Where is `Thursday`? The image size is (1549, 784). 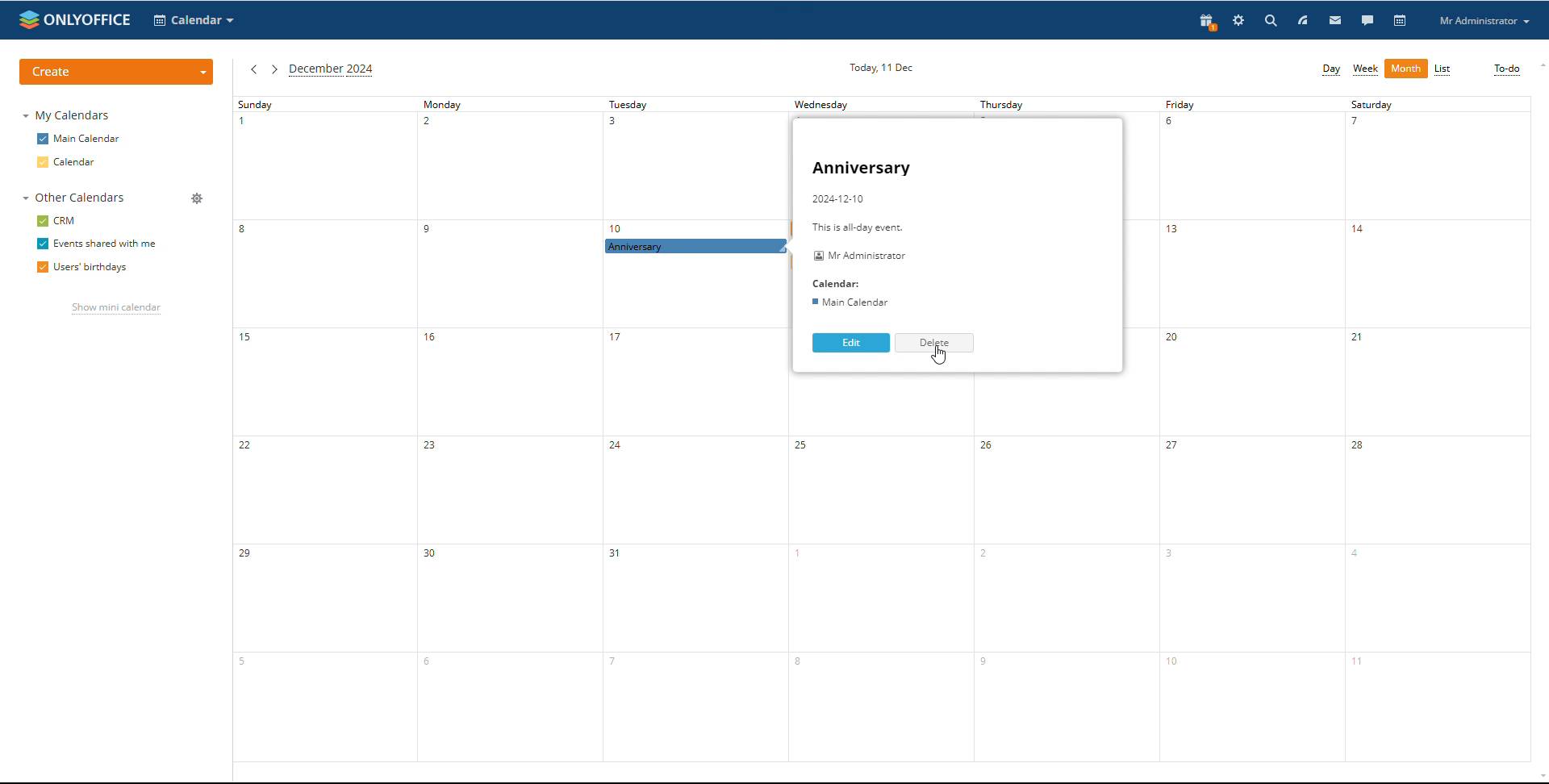 Thursday is located at coordinates (1009, 106).